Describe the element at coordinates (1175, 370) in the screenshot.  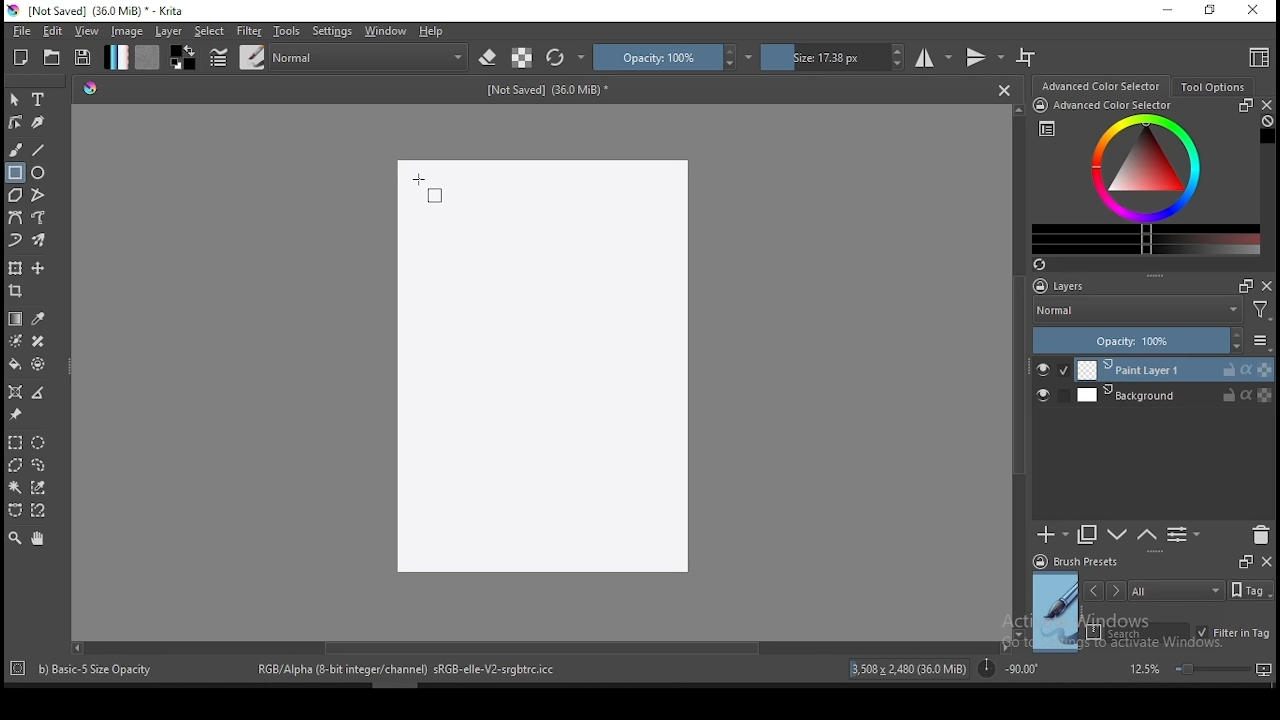
I see `layer` at that location.